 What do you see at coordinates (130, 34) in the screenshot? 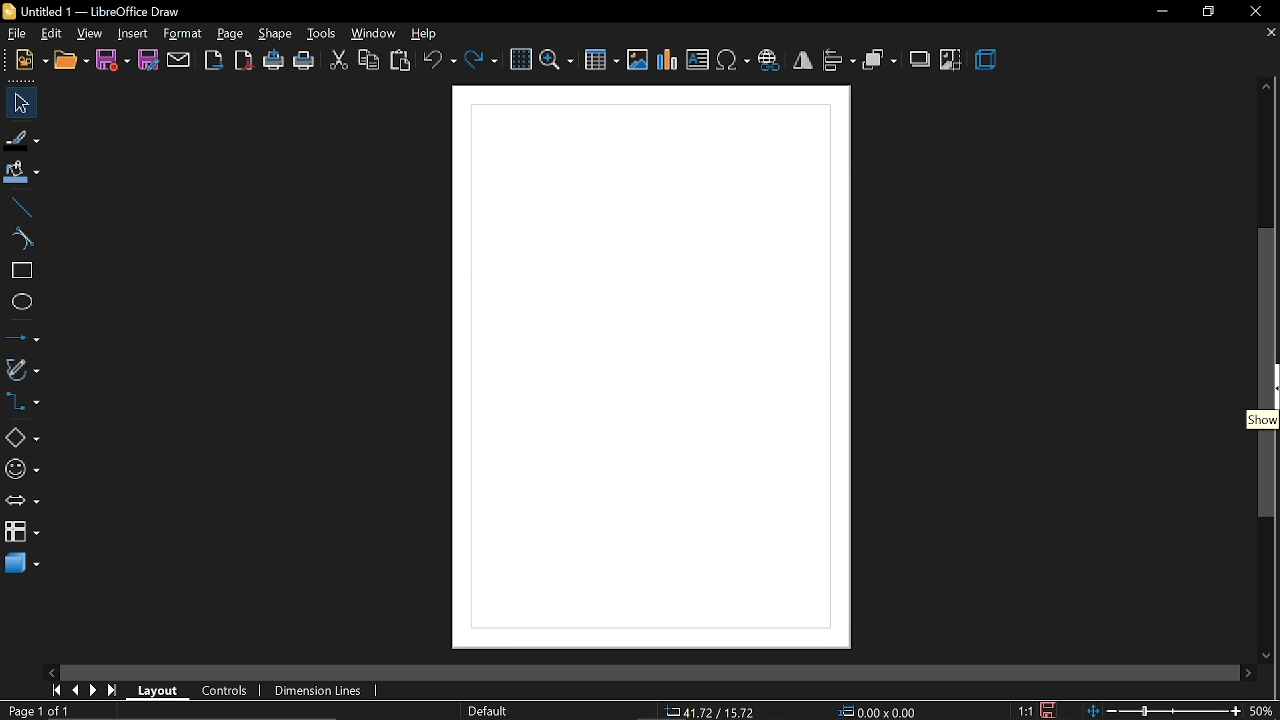
I see `insert` at bounding box center [130, 34].